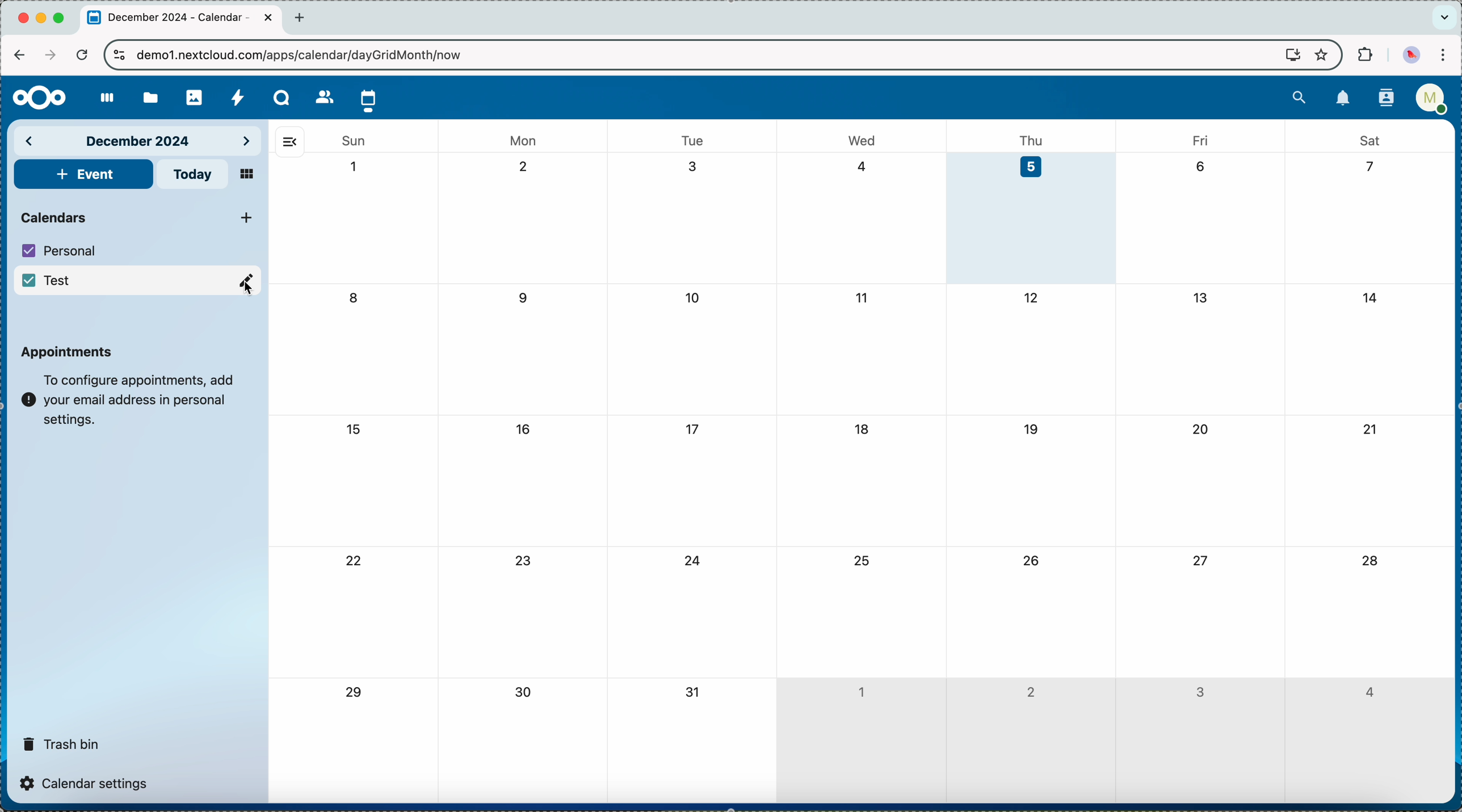  What do you see at coordinates (1031, 691) in the screenshot?
I see `2` at bounding box center [1031, 691].